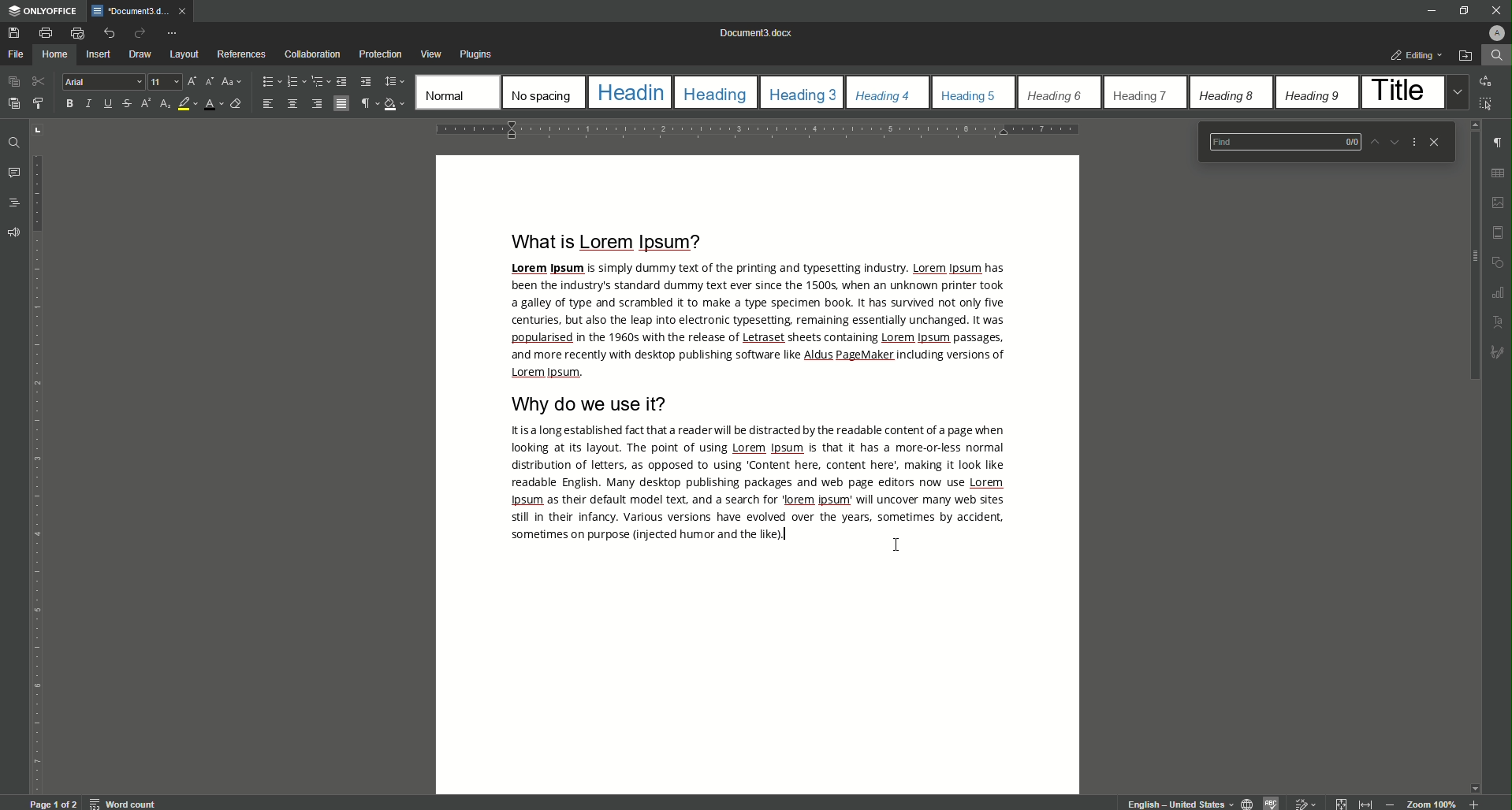 This screenshot has height=810, width=1512. What do you see at coordinates (1499, 260) in the screenshot?
I see `shapes` at bounding box center [1499, 260].